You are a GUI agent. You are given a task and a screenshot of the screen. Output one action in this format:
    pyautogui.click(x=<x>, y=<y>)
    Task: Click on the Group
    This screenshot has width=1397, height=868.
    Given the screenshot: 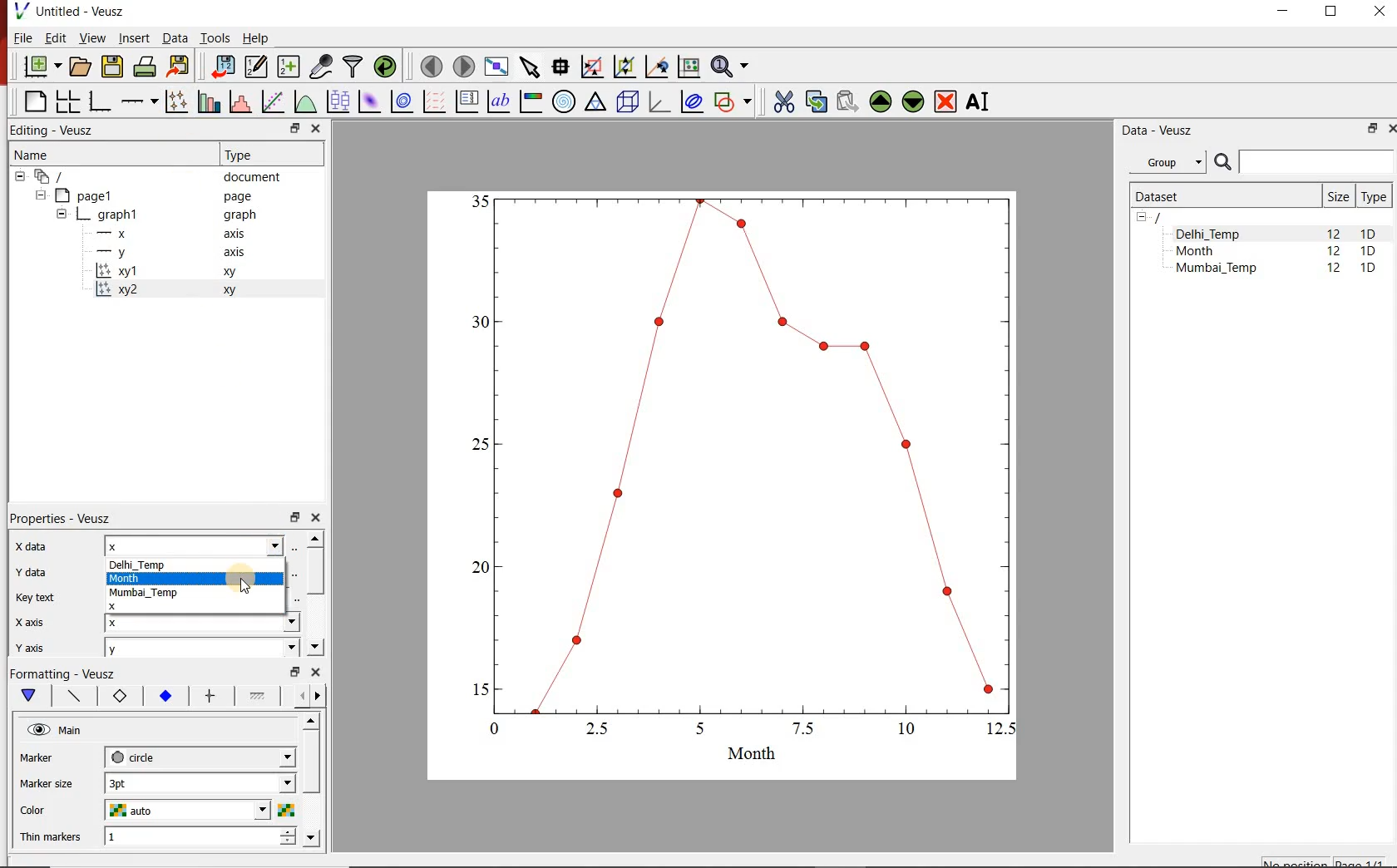 What is the action you would take?
    pyautogui.click(x=1167, y=160)
    